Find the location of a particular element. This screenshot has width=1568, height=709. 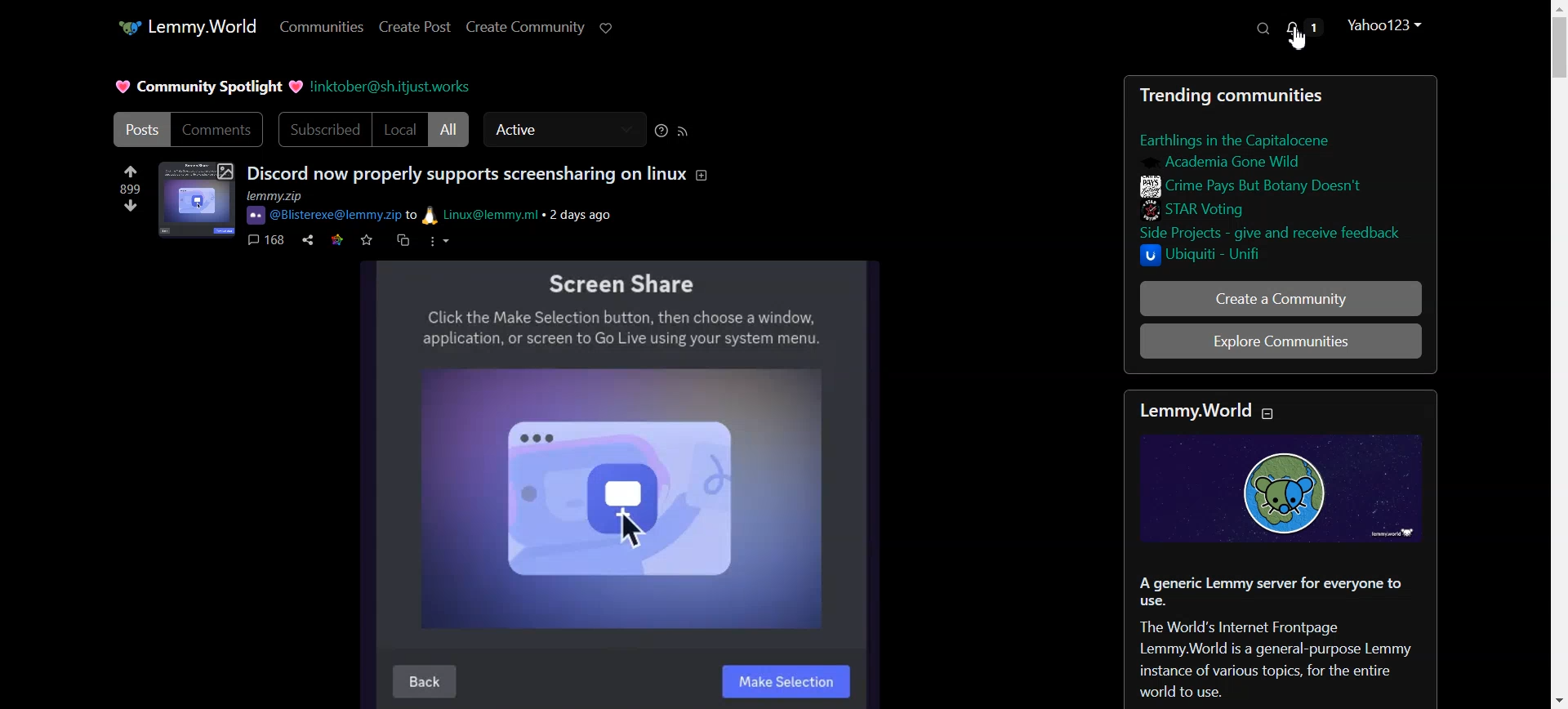

Vertical scroll bar is located at coordinates (1557, 354).